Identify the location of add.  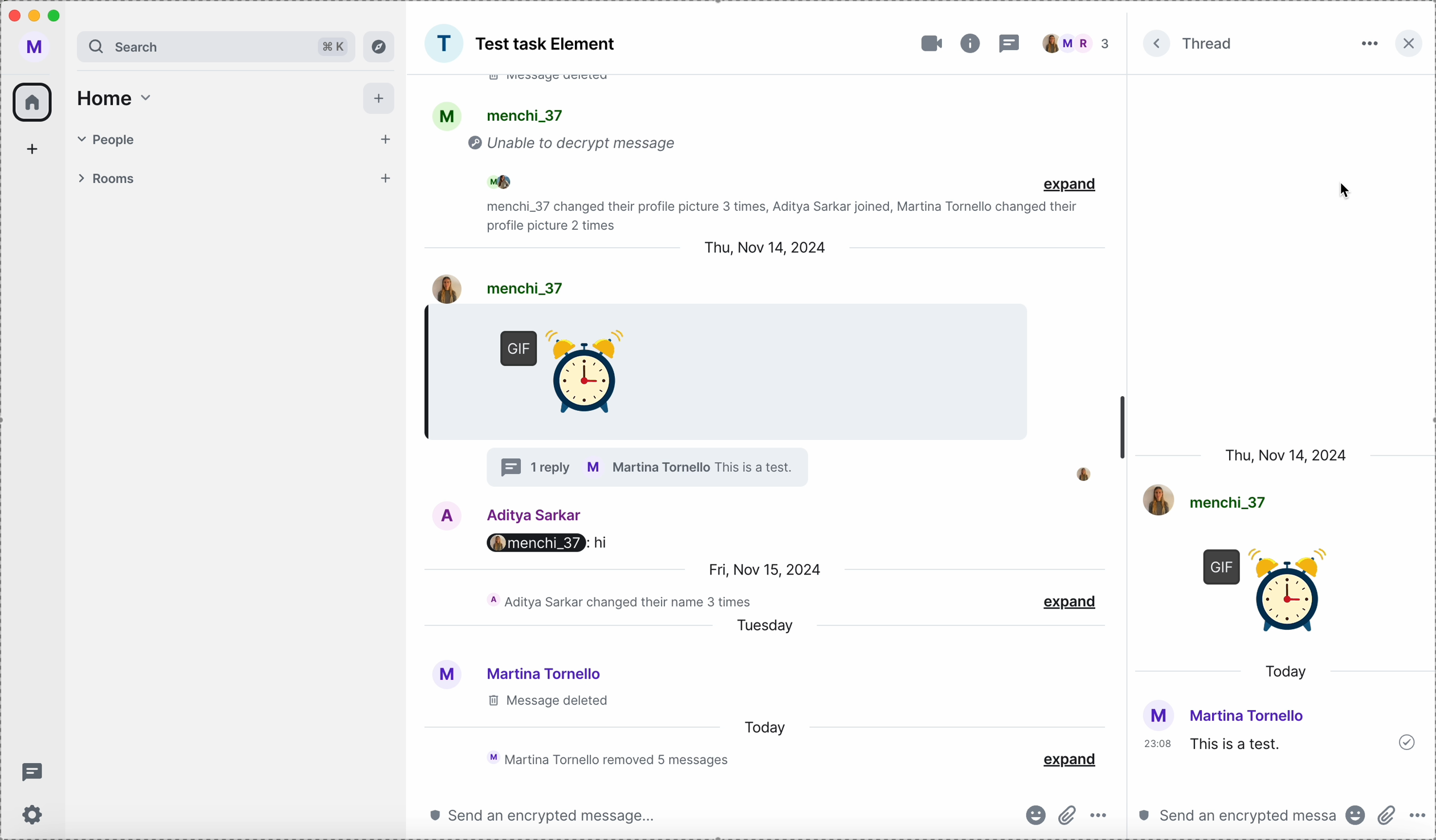
(380, 99).